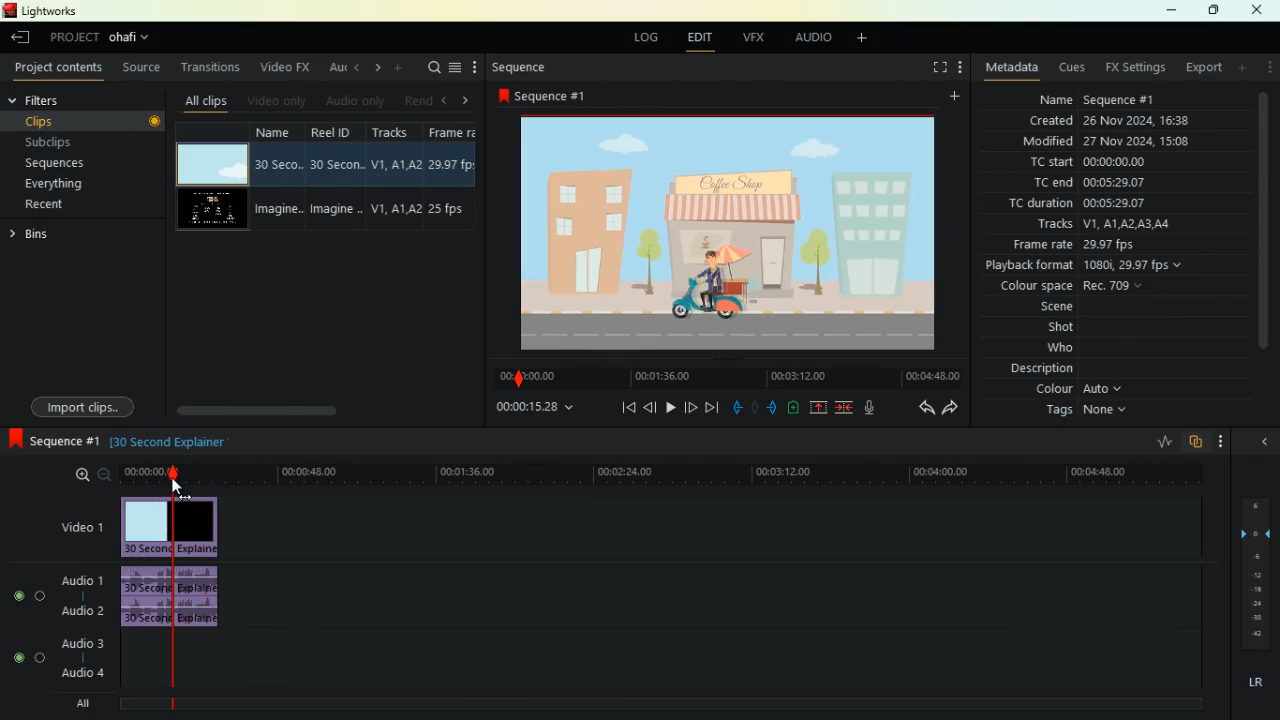  Describe the element at coordinates (1042, 202) in the screenshot. I see `tc duration` at that location.